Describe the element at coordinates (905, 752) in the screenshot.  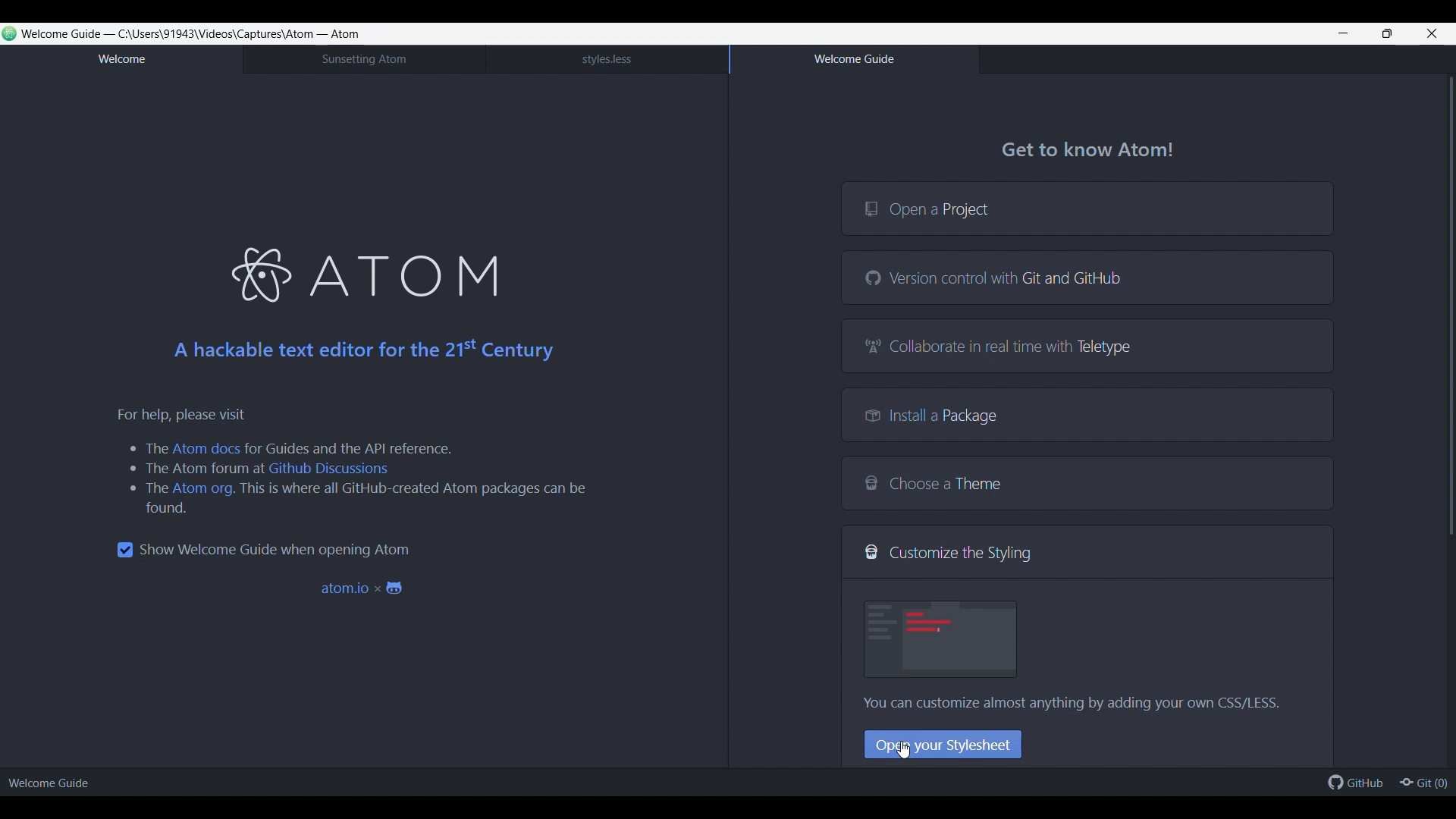
I see `cursor` at that location.